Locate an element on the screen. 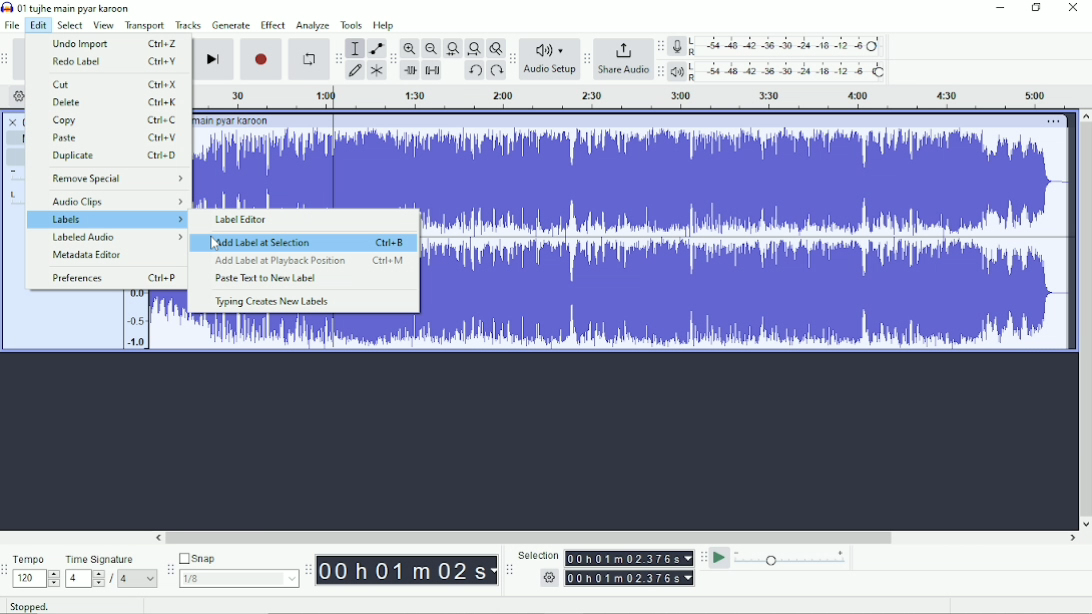  Fit project to width is located at coordinates (473, 48).